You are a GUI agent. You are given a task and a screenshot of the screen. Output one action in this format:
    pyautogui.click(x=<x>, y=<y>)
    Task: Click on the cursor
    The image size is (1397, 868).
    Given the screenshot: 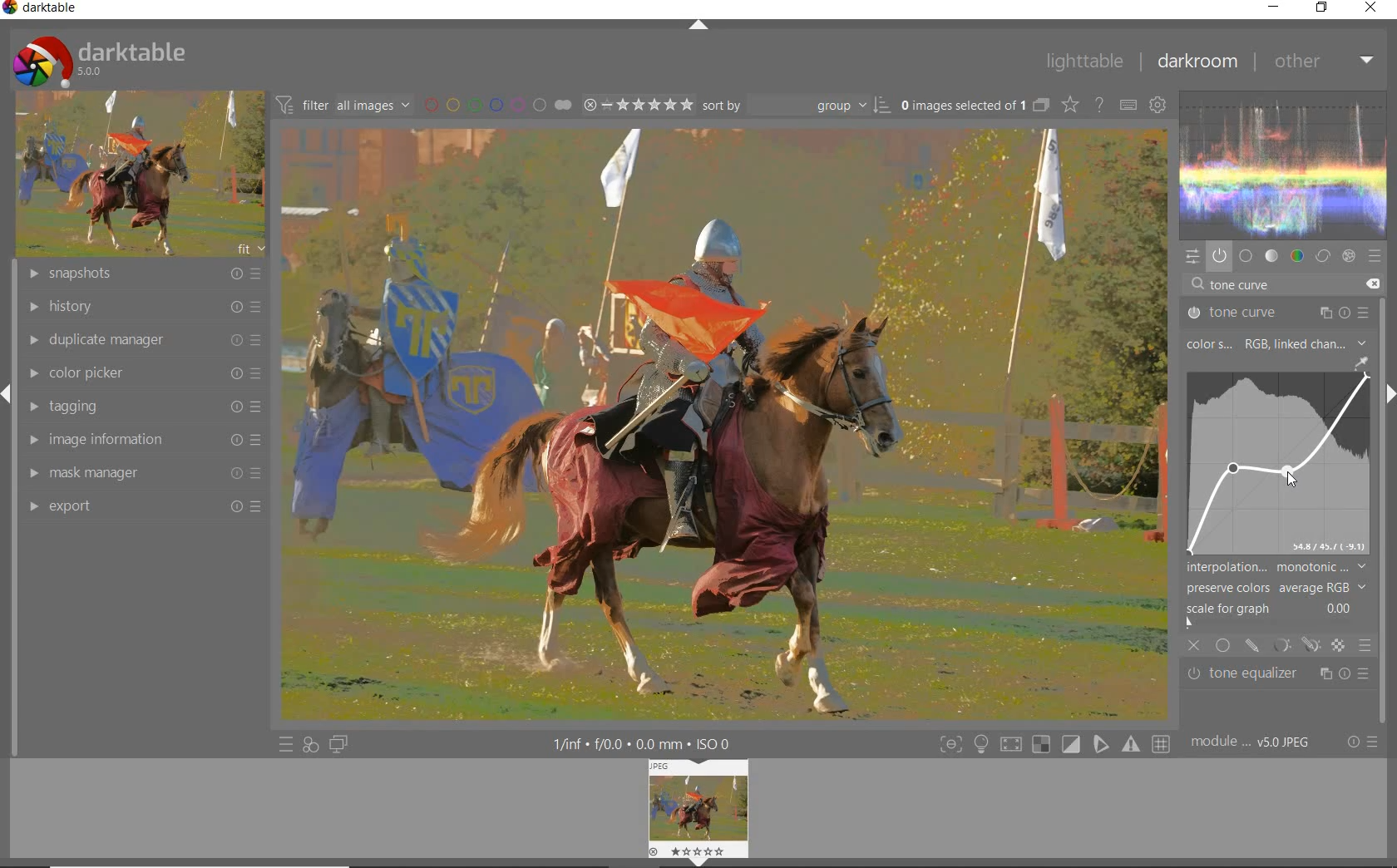 What is the action you would take?
    pyautogui.click(x=1291, y=471)
    